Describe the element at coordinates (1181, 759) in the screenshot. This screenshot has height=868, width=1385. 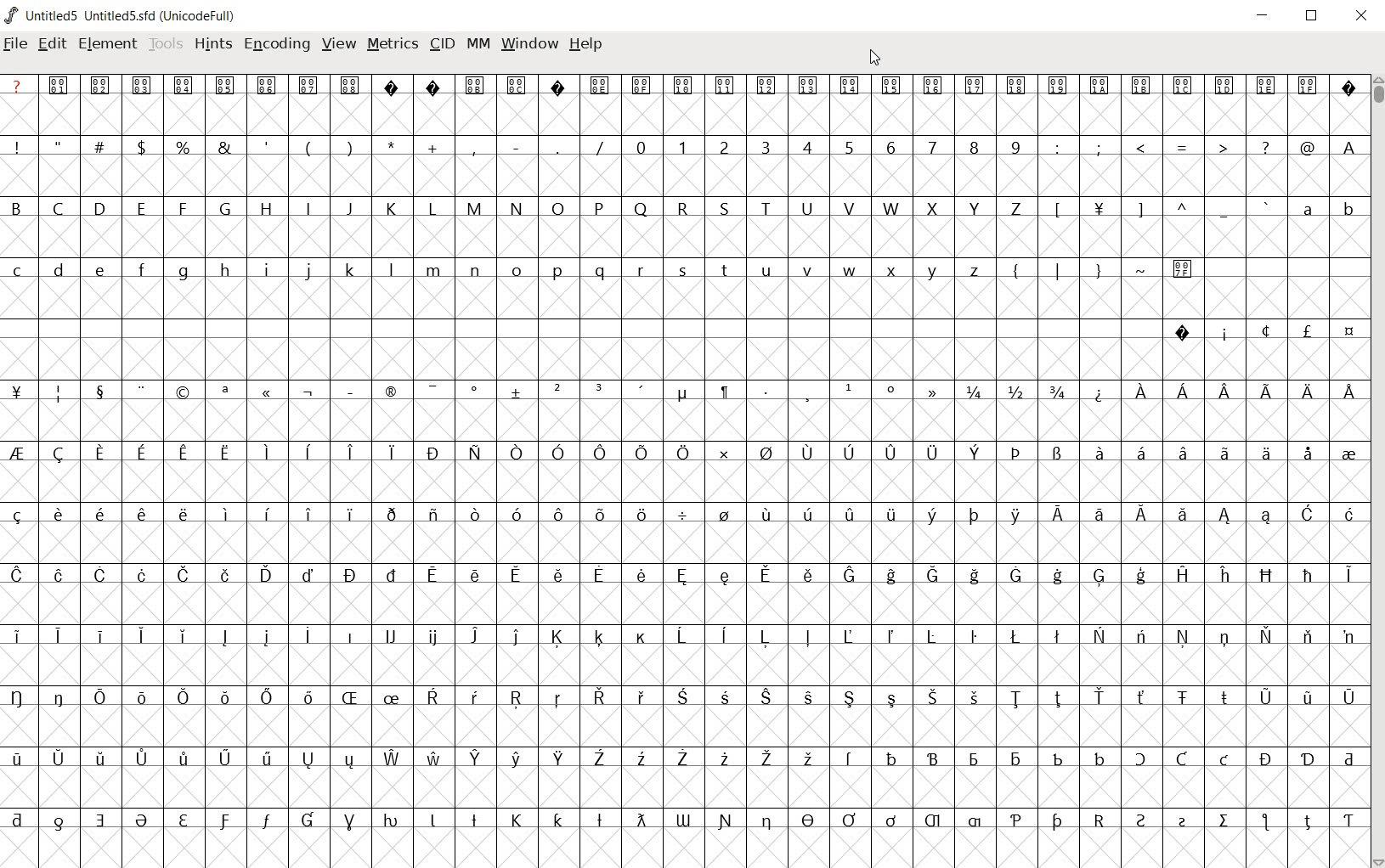
I see `Symbol` at that location.